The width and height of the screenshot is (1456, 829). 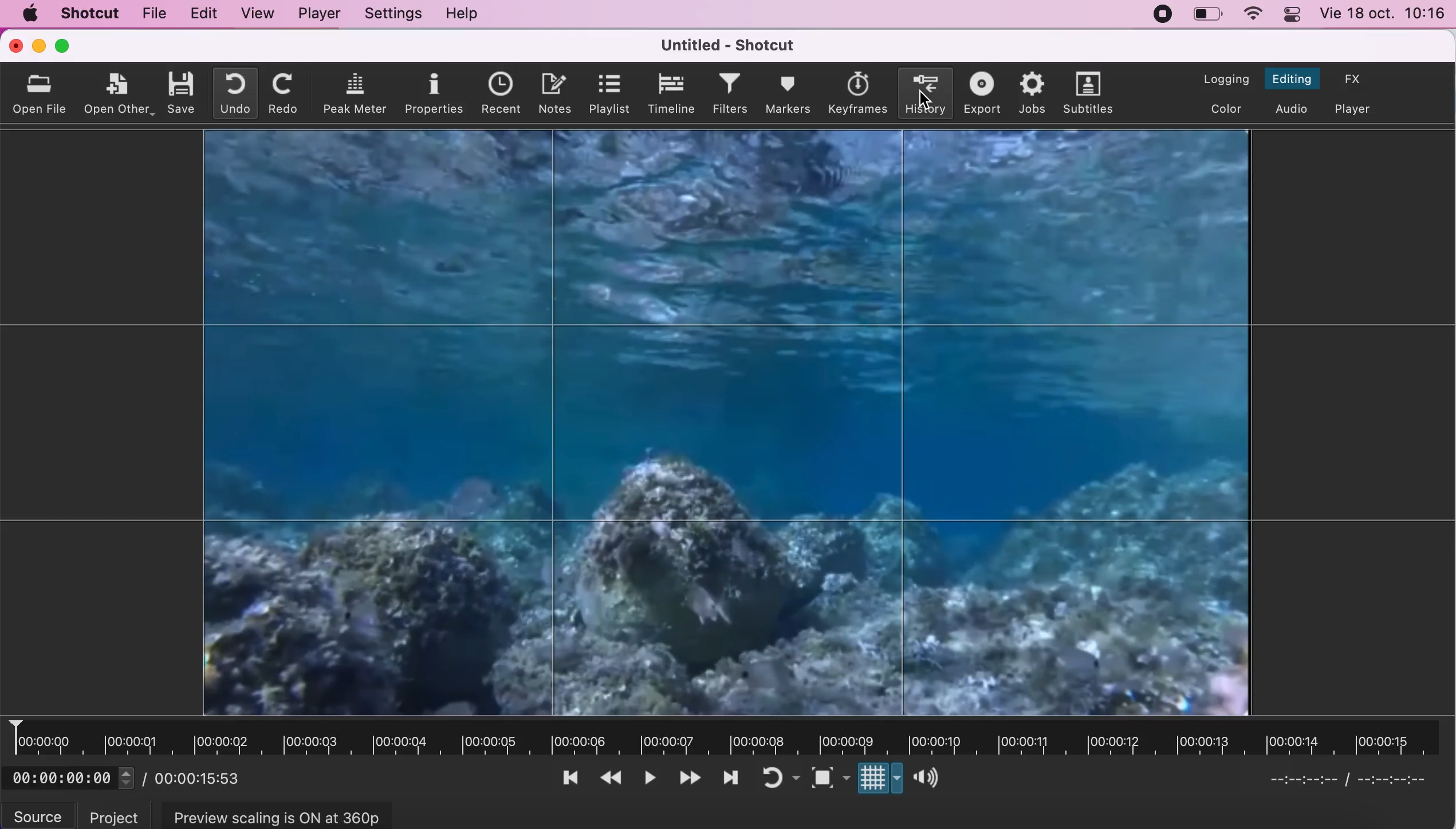 What do you see at coordinates (1356, 14) in the screenshot?
I see `Vie 18 oct.` at bounding box center [1356, 14].